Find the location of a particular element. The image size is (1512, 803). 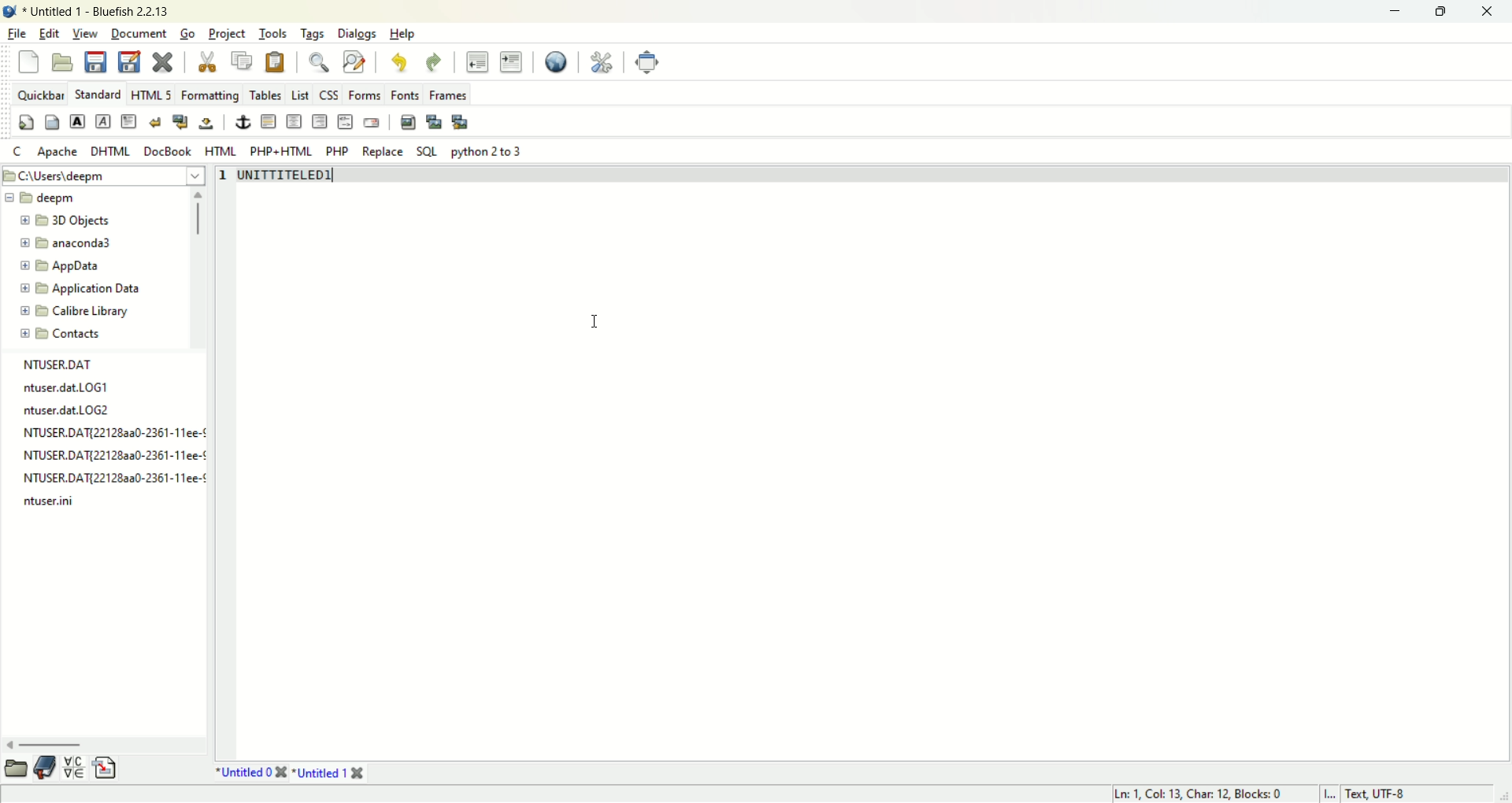

project is located at coordinates (226, 35).